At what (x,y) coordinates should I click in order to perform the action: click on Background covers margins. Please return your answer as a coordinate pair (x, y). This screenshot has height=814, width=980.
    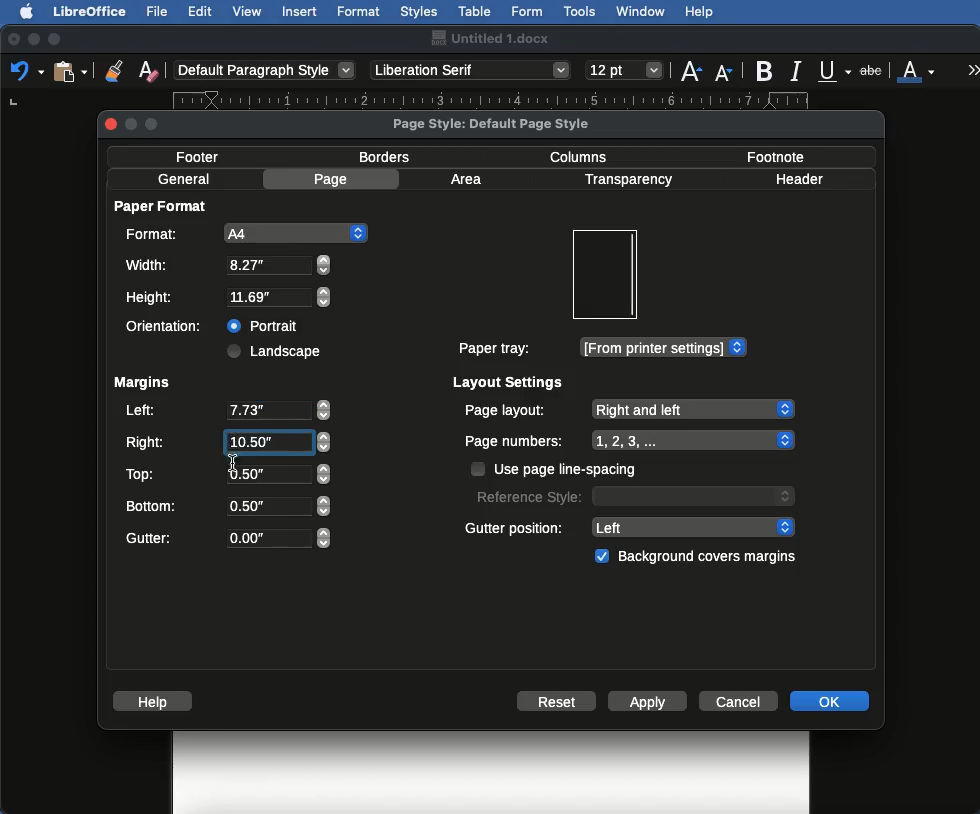
    Looking at the image, I should click on (699, 557).